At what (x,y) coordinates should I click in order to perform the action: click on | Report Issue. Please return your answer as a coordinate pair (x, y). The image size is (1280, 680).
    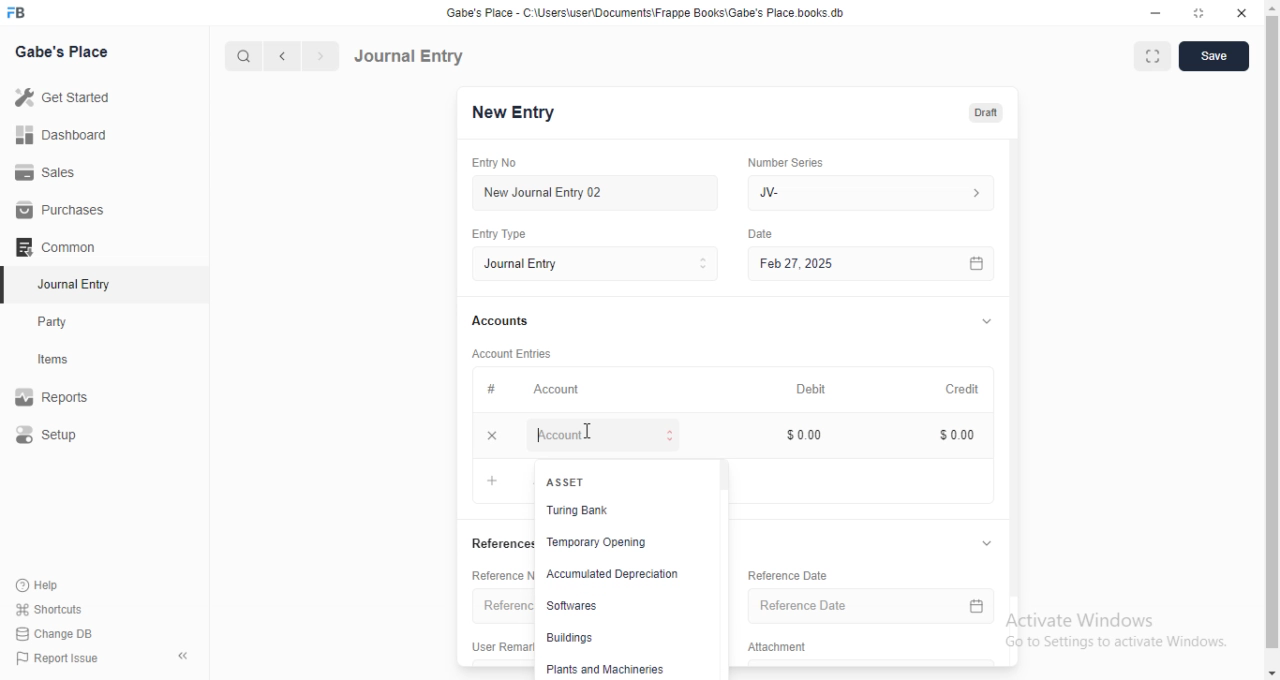
    Looking at the image, I should click on (59, 658).